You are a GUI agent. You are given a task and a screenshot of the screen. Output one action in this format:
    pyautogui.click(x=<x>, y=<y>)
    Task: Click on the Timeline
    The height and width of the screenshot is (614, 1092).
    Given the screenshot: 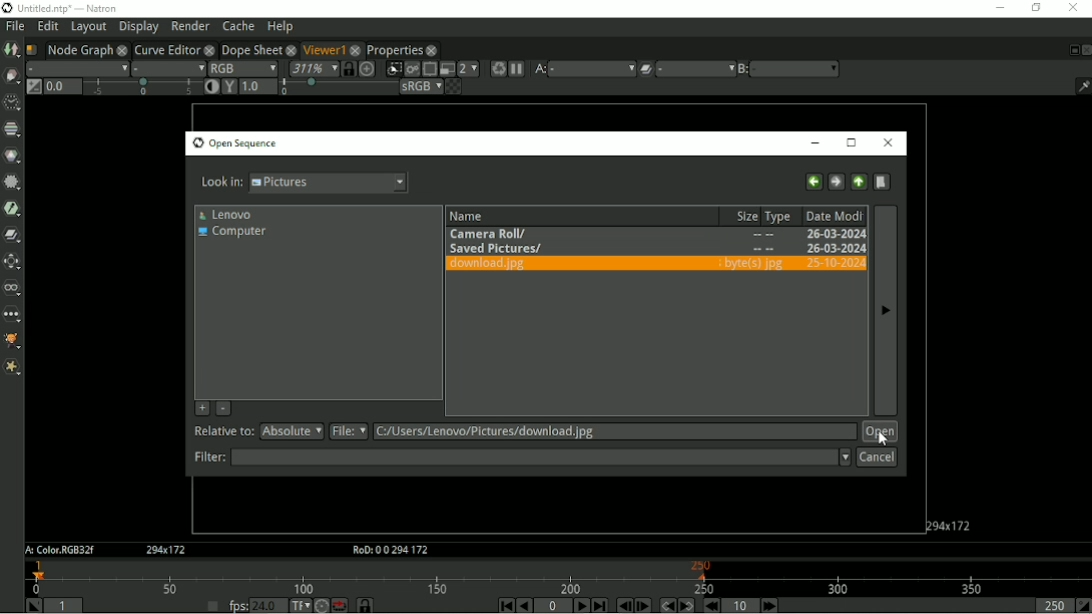 What is the action you would take?
    pyautogui.click(x=559, y=577)
    